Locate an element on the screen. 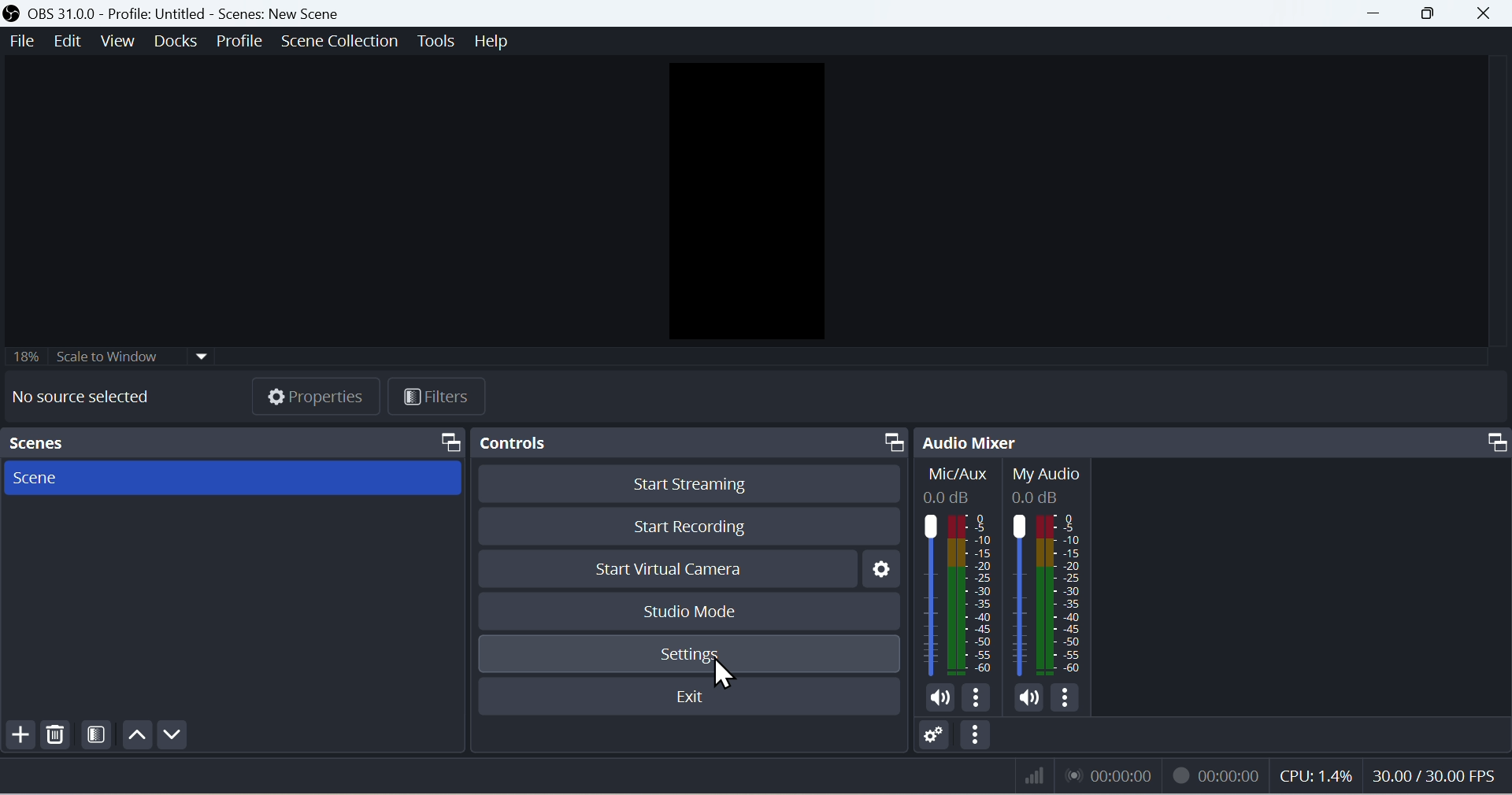 Image resolution: width=1512 pixels, height=795 pixels. Filters is located at coordinates (439, 396).